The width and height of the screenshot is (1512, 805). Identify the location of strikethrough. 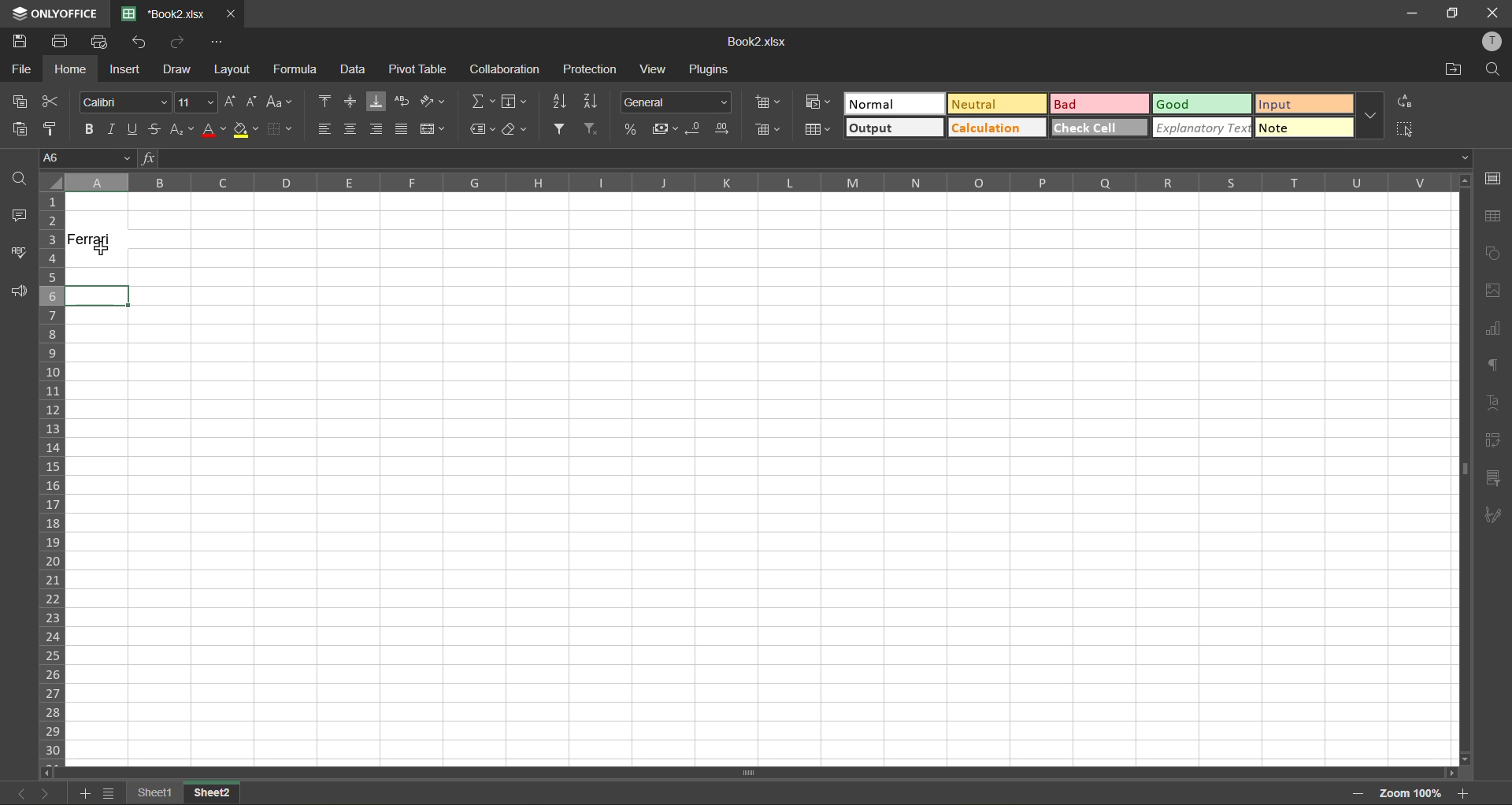
(156, 128).